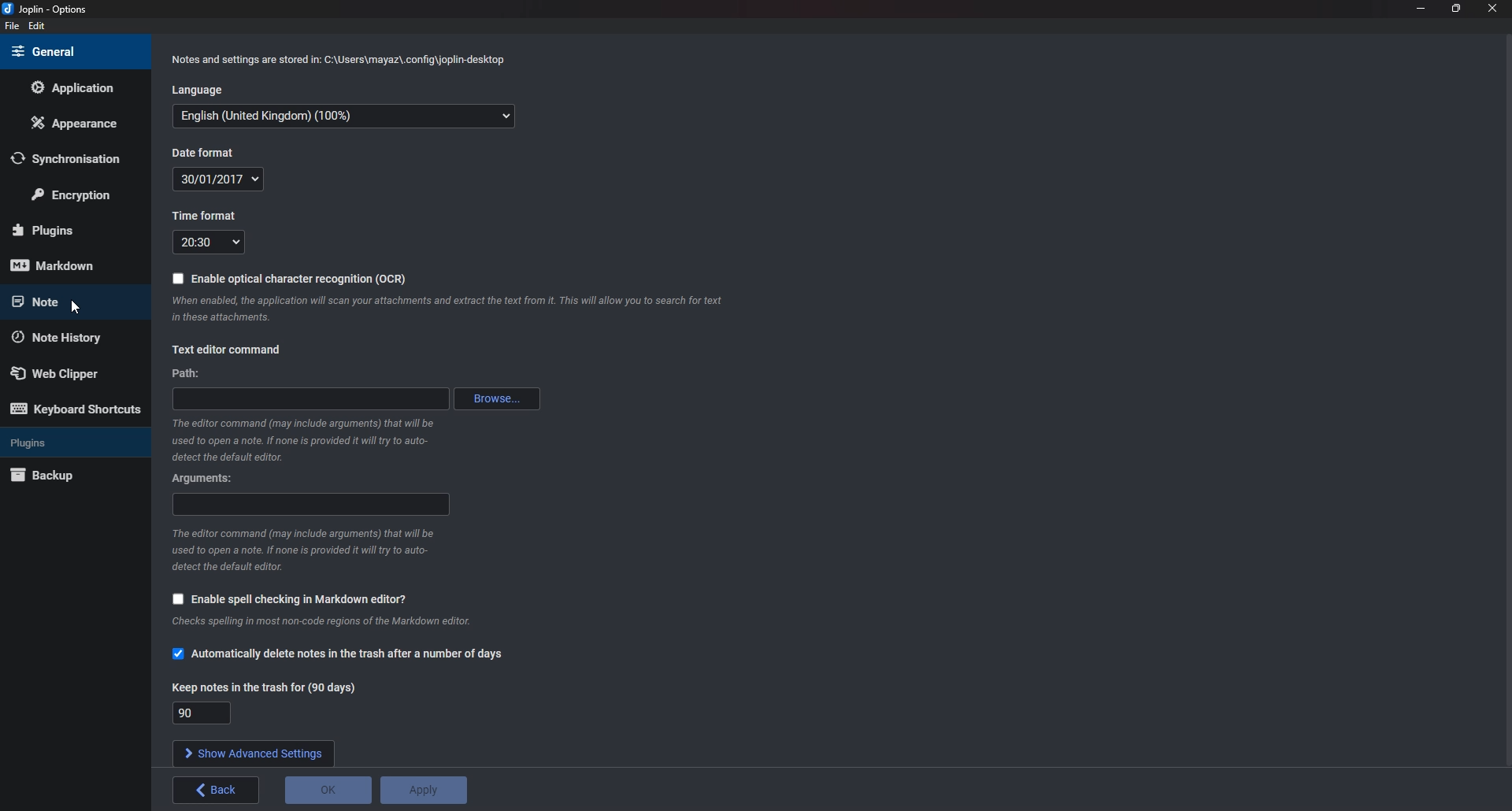 Image resolution: width=1512 pixels, height=811 pixels. Describe the element at coordinates (177, 653) in the screenshot. I see `checkbox` at that location.